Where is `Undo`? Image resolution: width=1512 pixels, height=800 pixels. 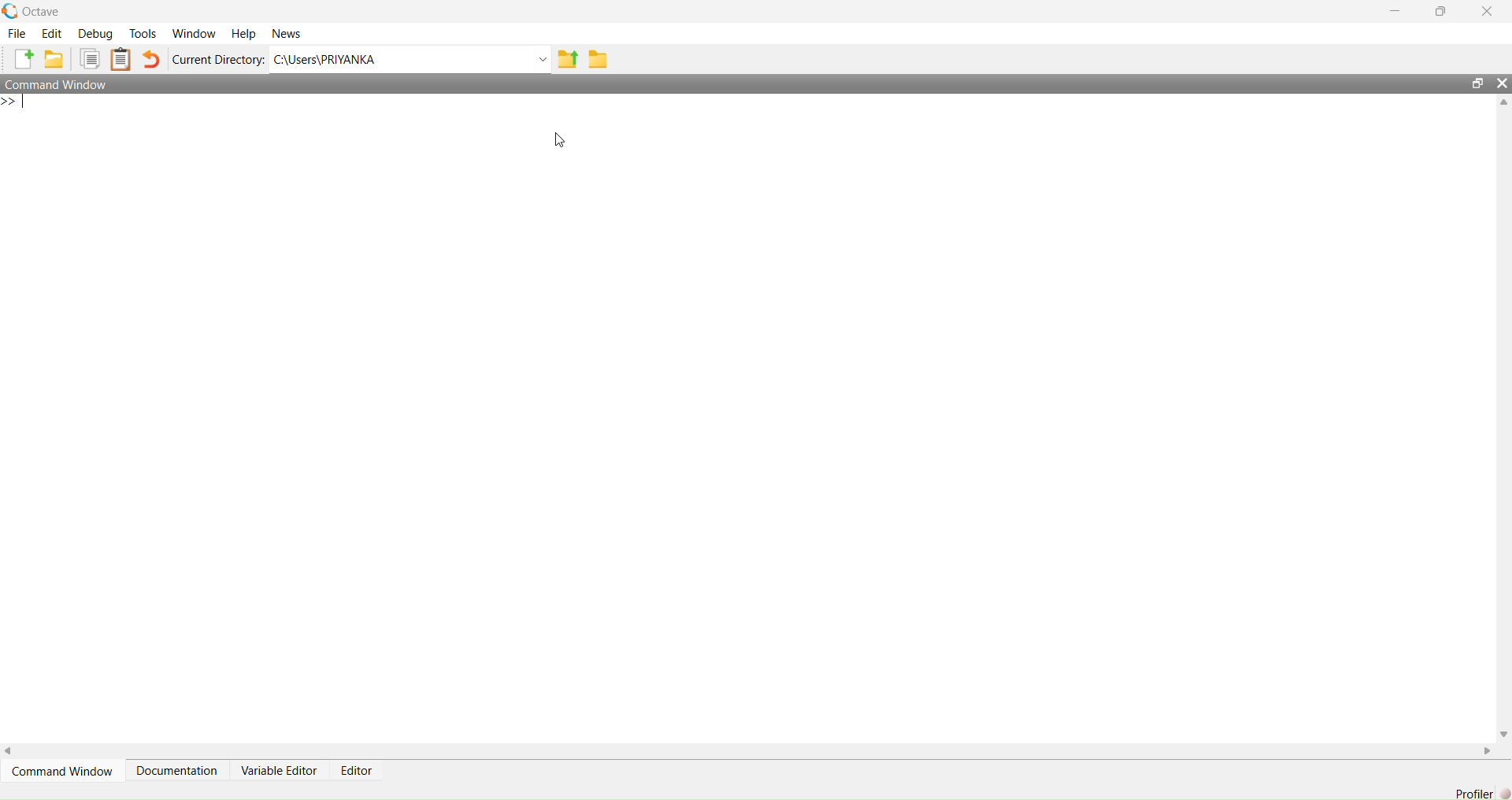
Undo is located at coordinates (152, 59).